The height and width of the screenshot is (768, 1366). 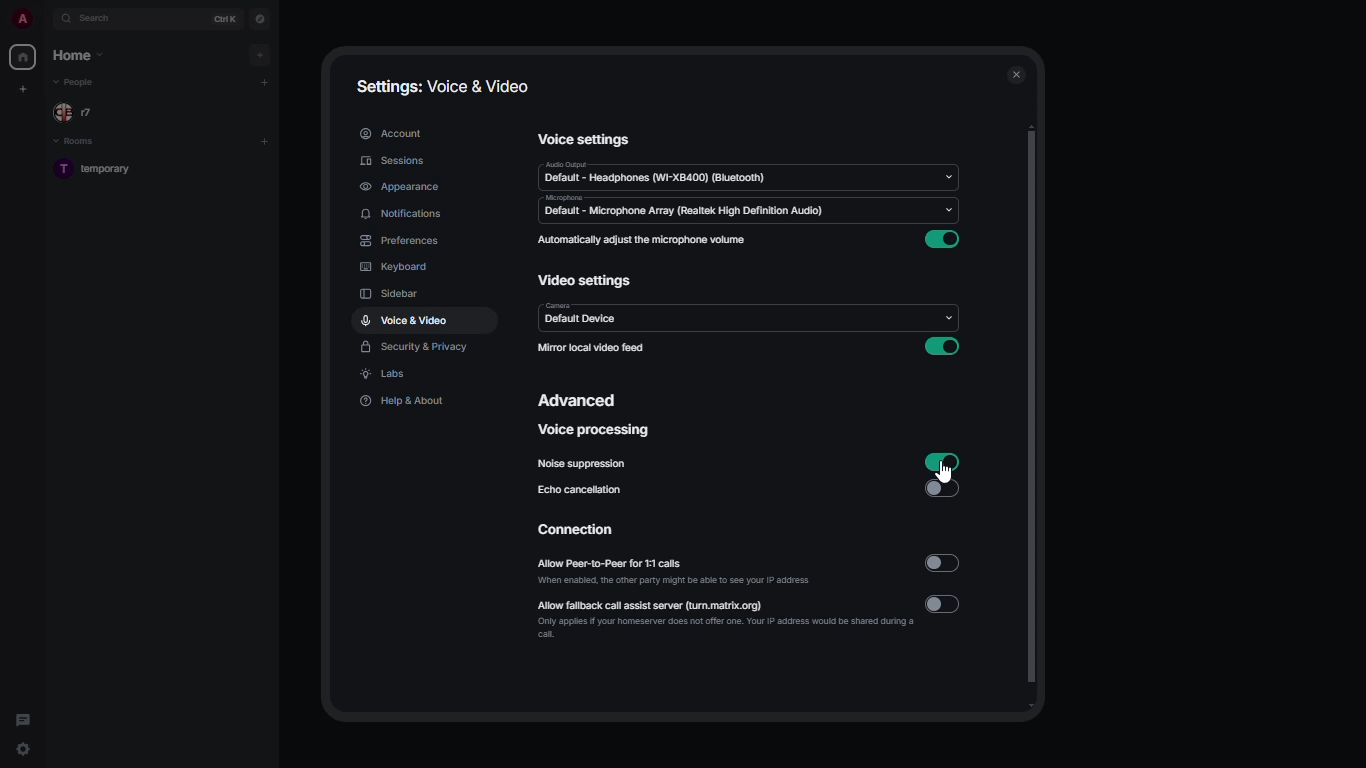 I want to click on sessions, so click(x=392, y=161).